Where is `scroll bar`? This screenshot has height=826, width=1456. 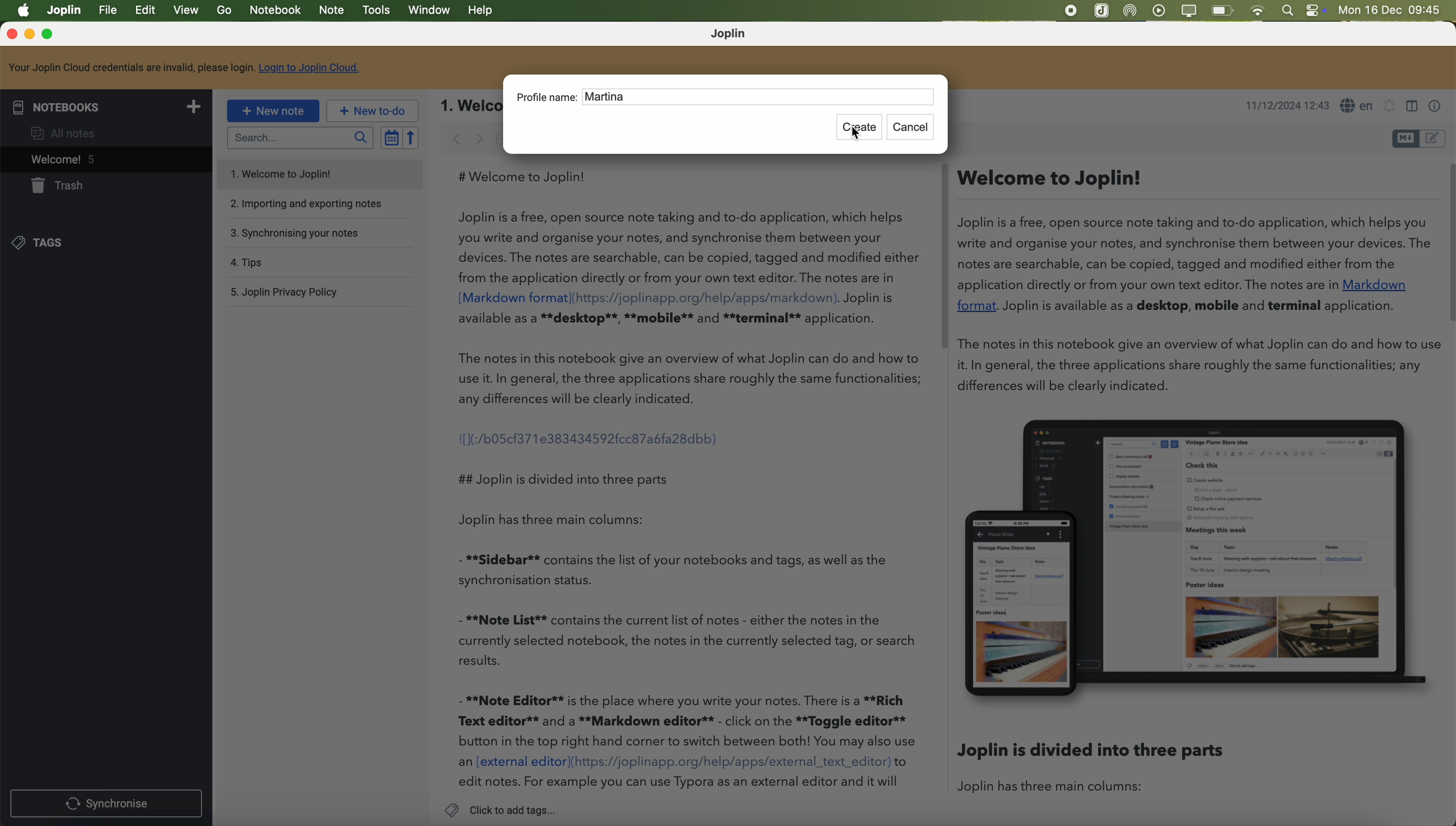 scroll bar is located at coordinates (940, 256).